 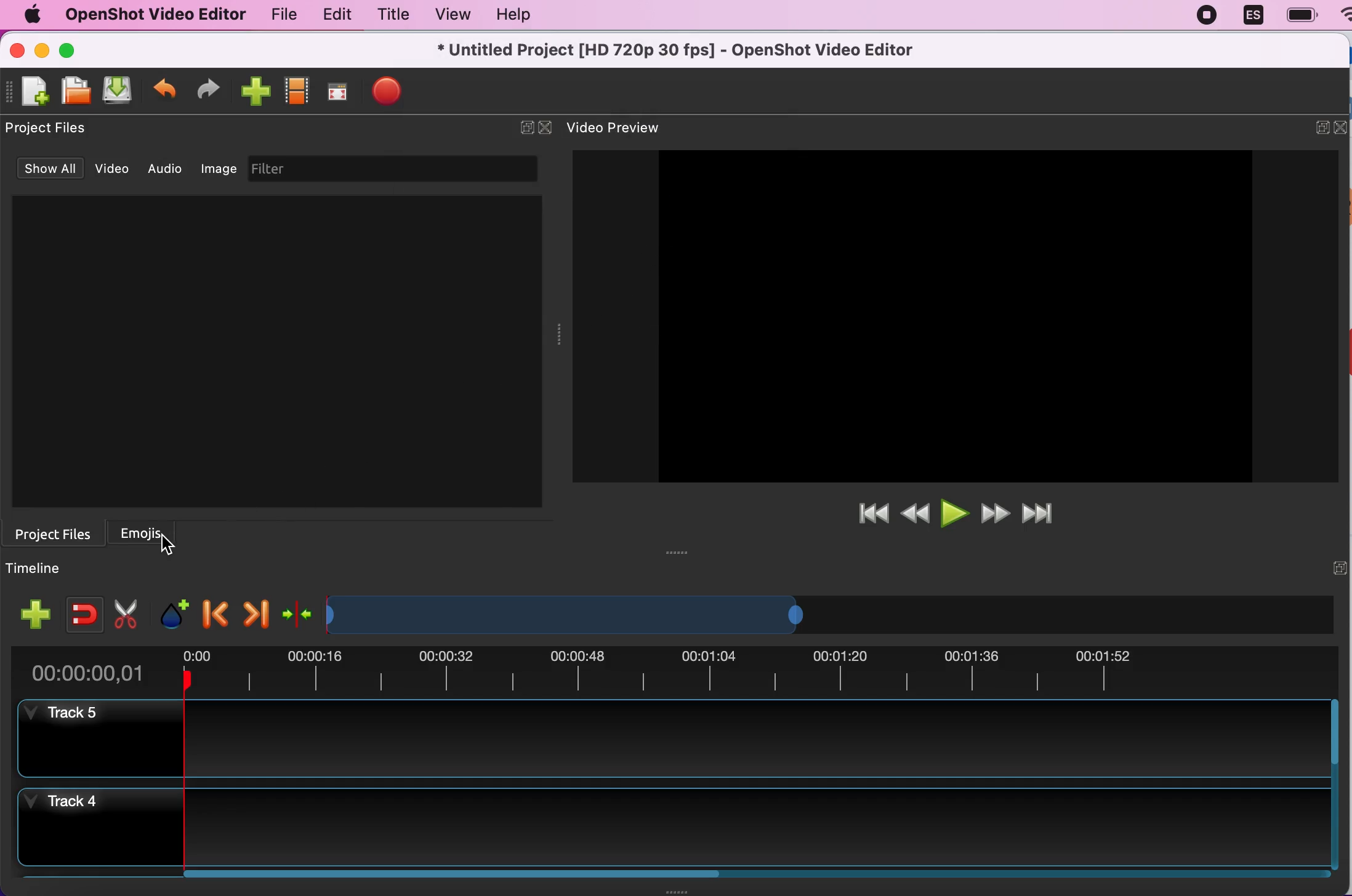 What do you see at coordinates (165, 548) in the screenshot?
I see `cursor` at bounding box center [165, 548].